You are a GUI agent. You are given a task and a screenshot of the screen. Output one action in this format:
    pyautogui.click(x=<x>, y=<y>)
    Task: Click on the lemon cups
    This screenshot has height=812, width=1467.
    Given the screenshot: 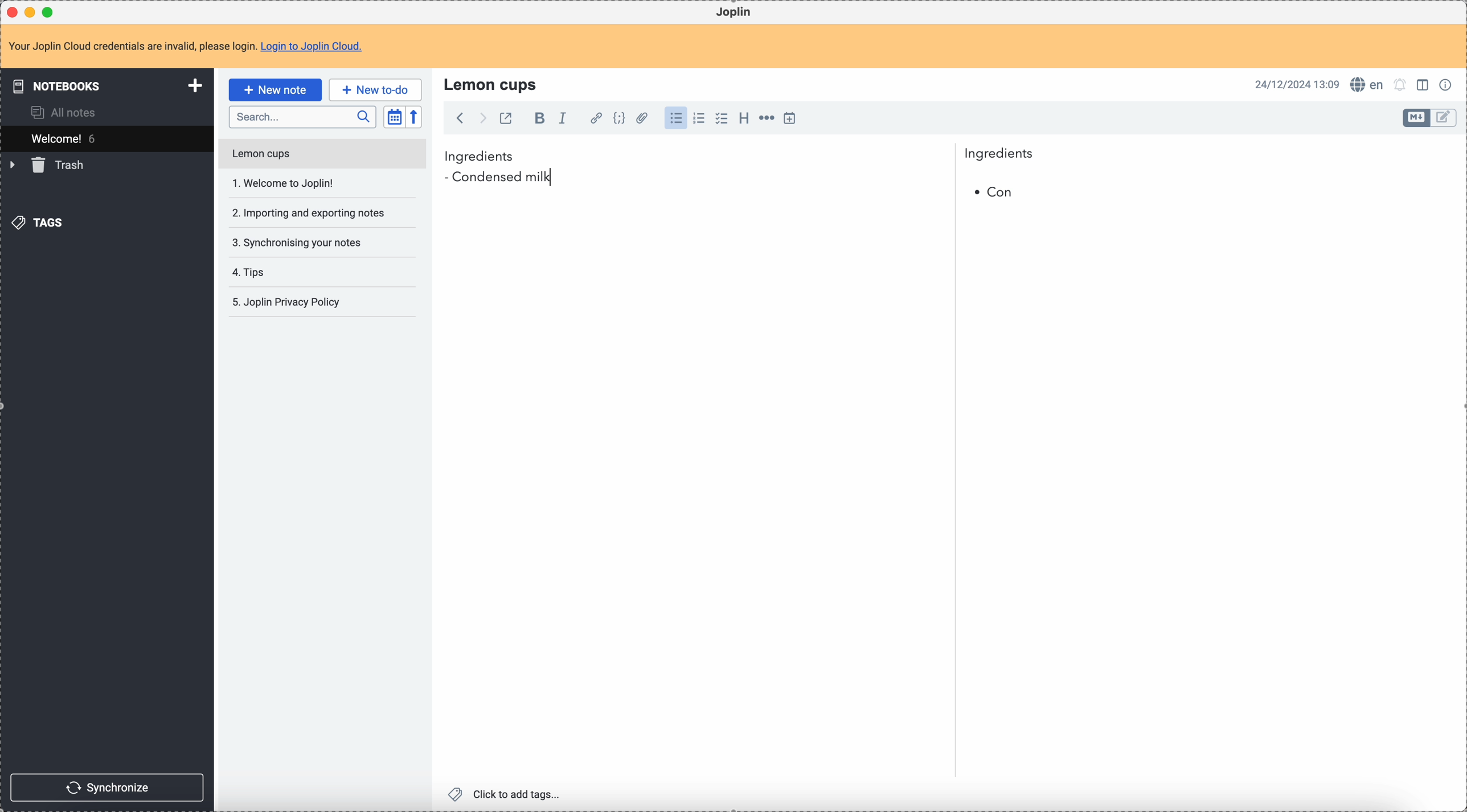 What is the action you would take?
    pyautogui.click(x=493, y=84)
    